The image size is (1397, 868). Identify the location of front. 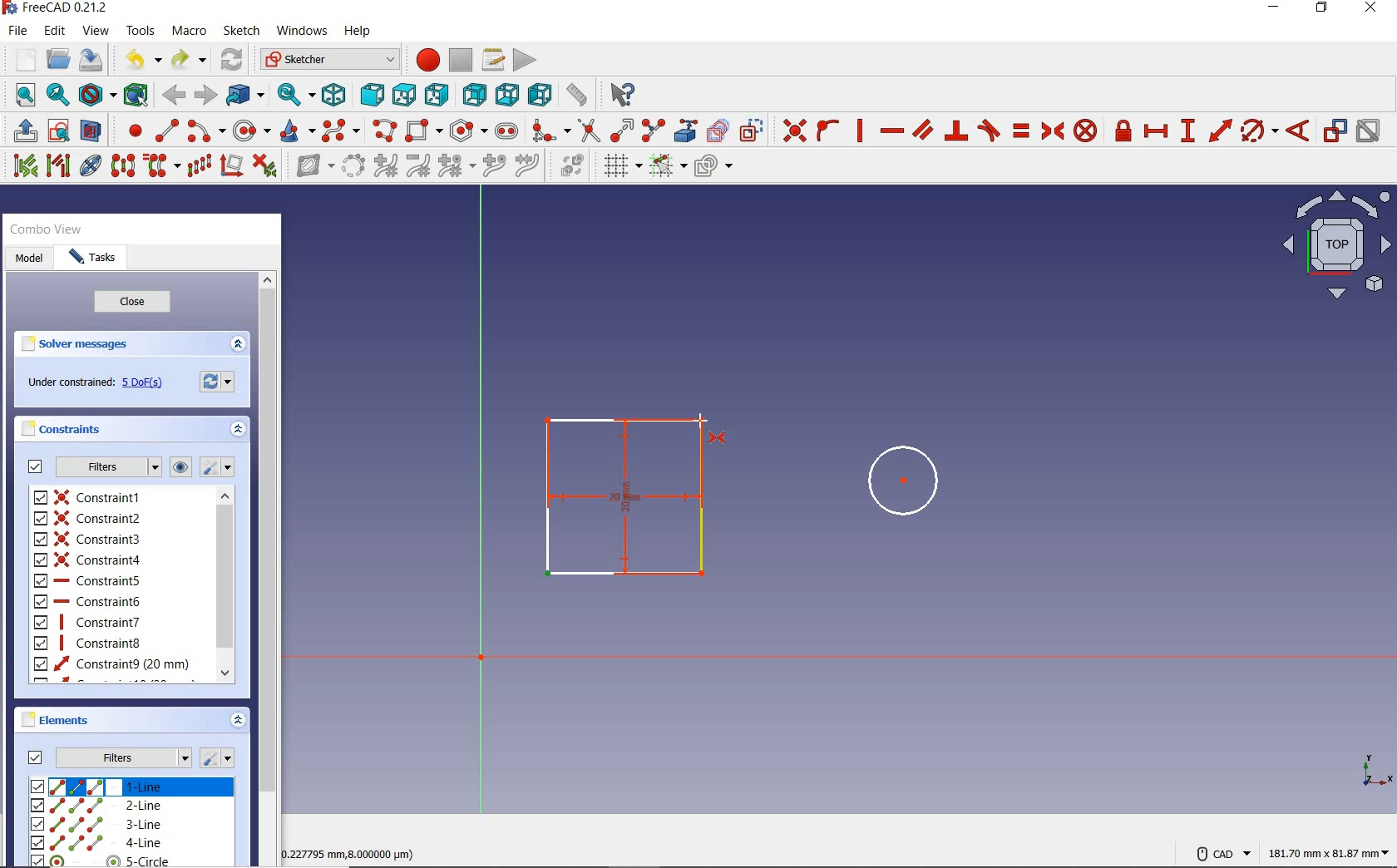
(371, 94).